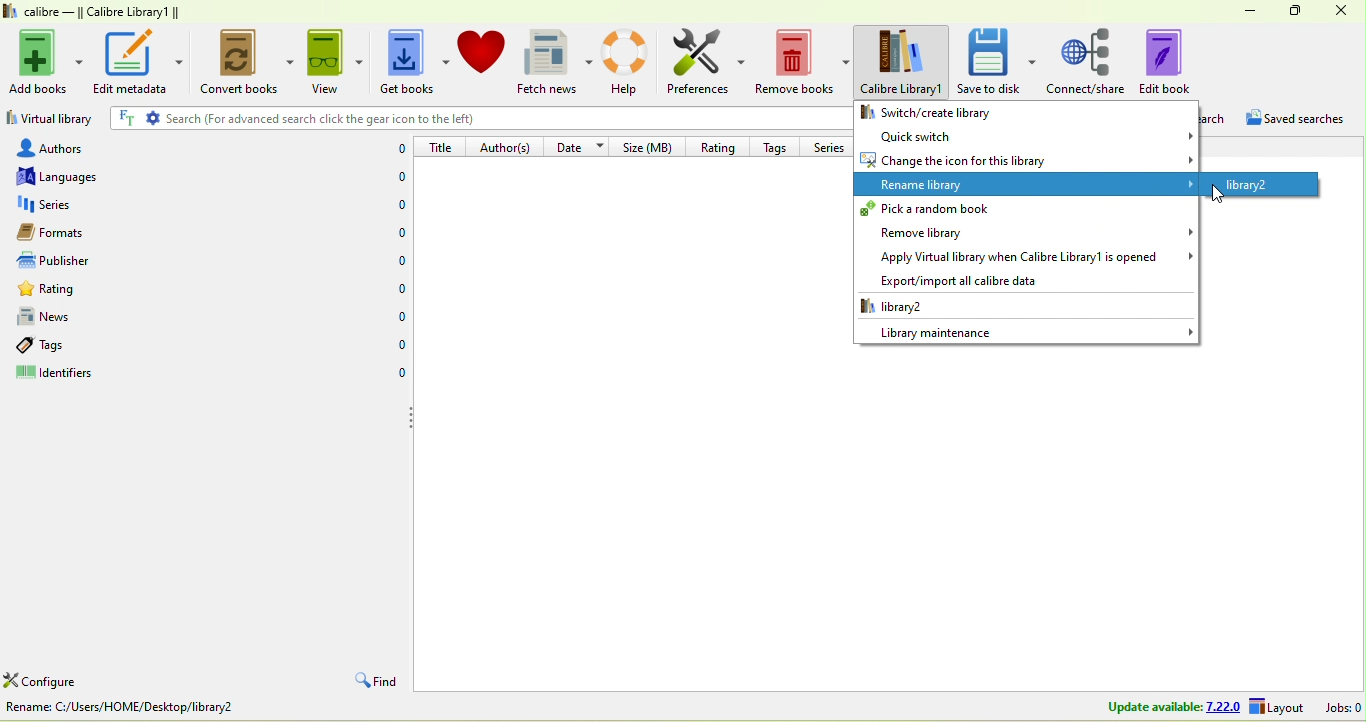  Describe the element at coordinates (69, 147) in the screenshot. I see `authors` at that location.